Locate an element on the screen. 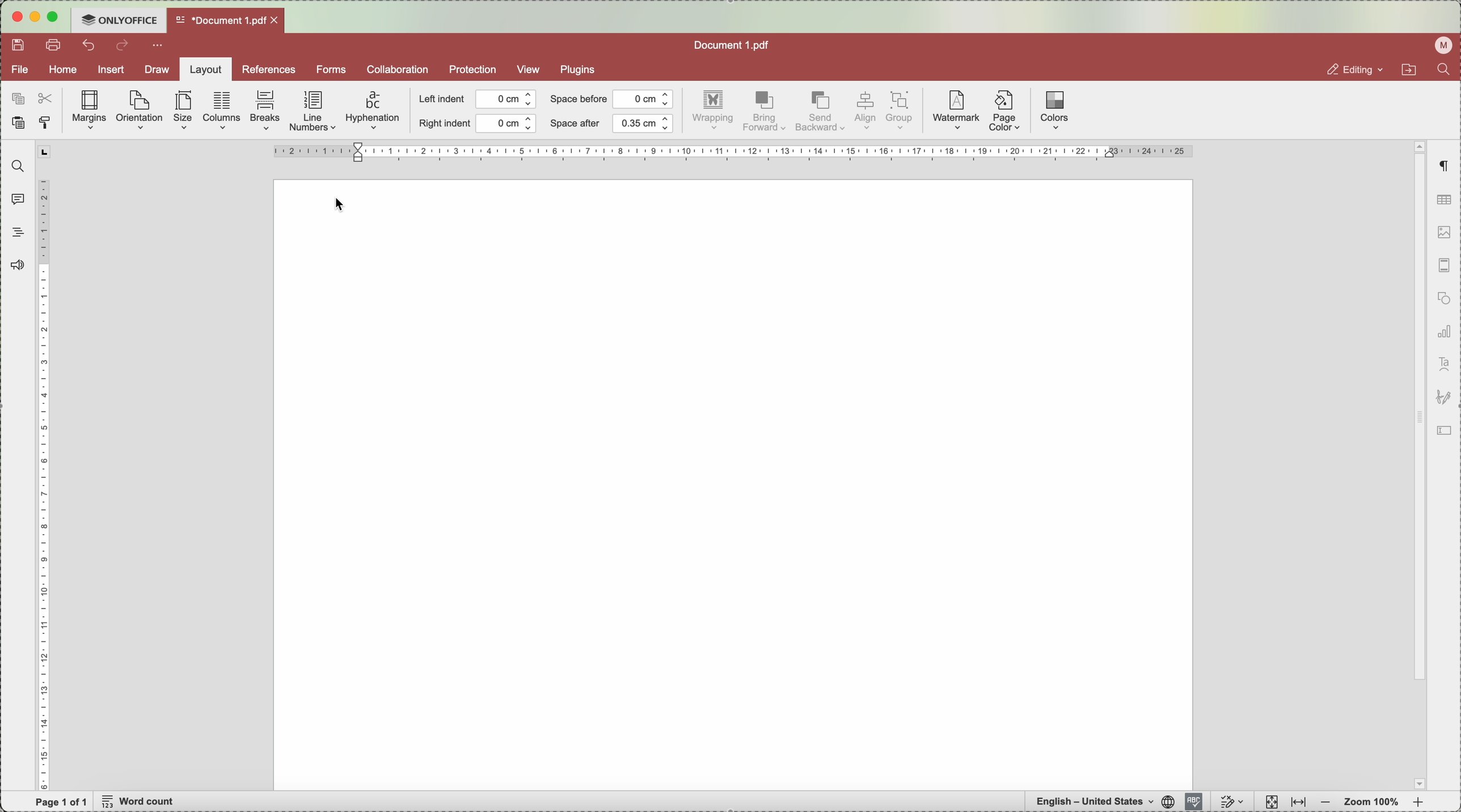  icon is located at coordinates (1443, 399).